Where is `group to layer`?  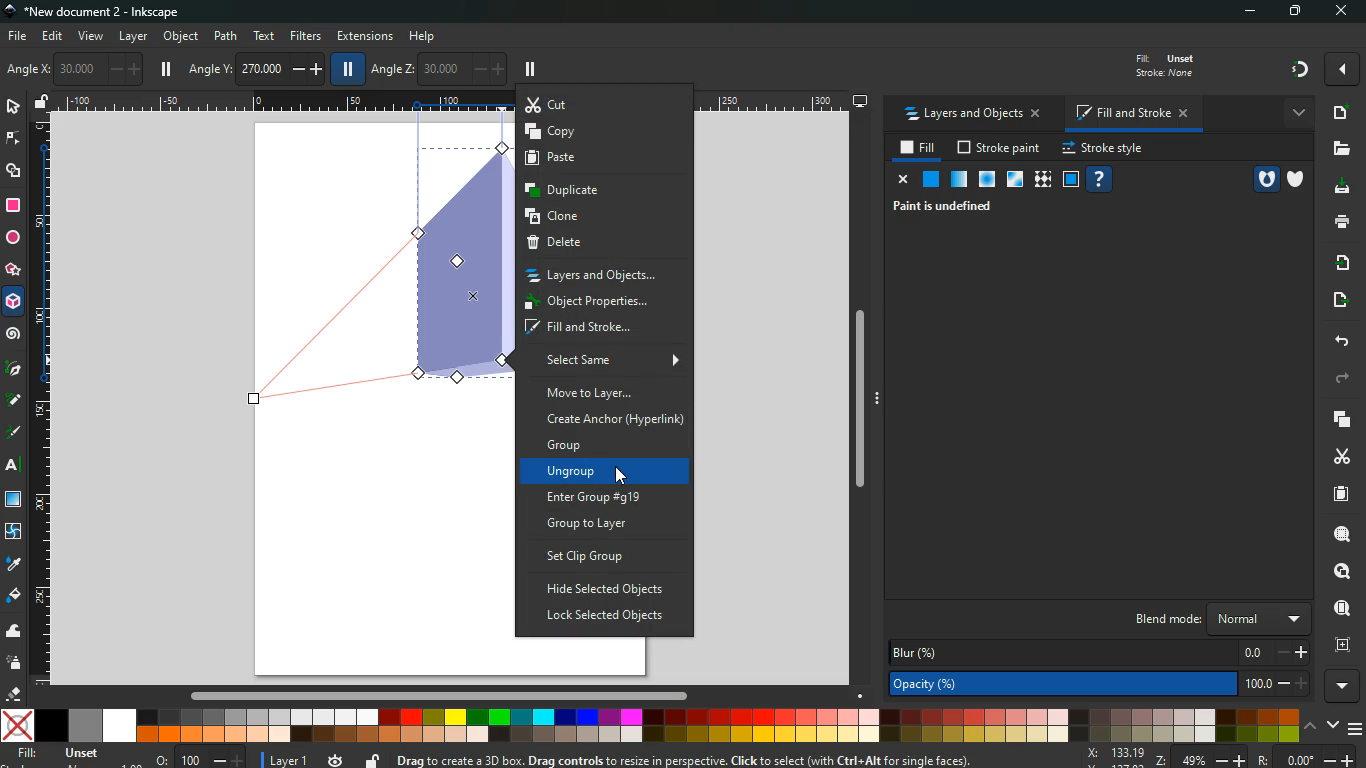
group to layer is located at coordinates (611, 525).